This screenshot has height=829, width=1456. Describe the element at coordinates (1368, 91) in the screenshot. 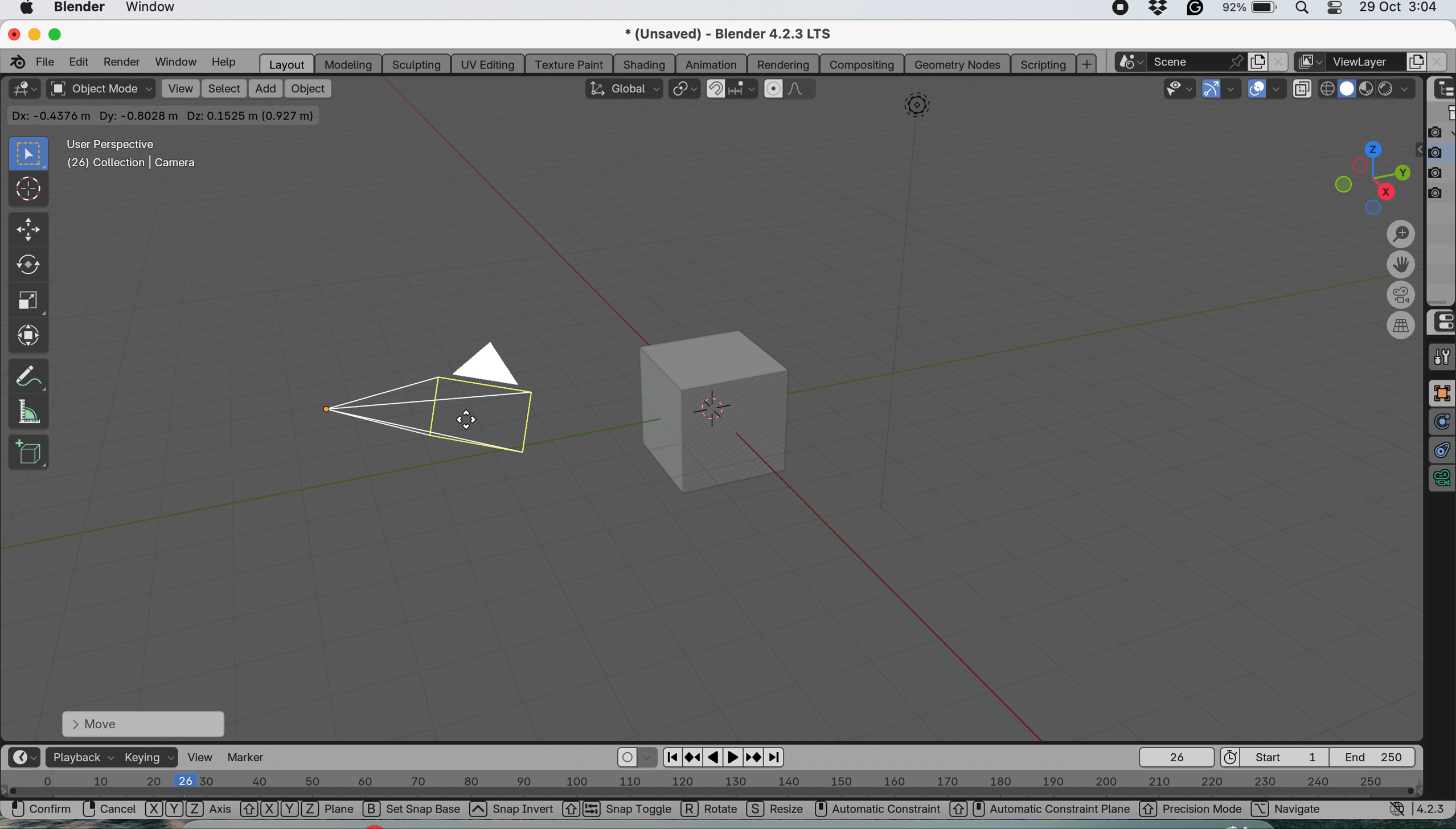

I see `rendered display` at that location.